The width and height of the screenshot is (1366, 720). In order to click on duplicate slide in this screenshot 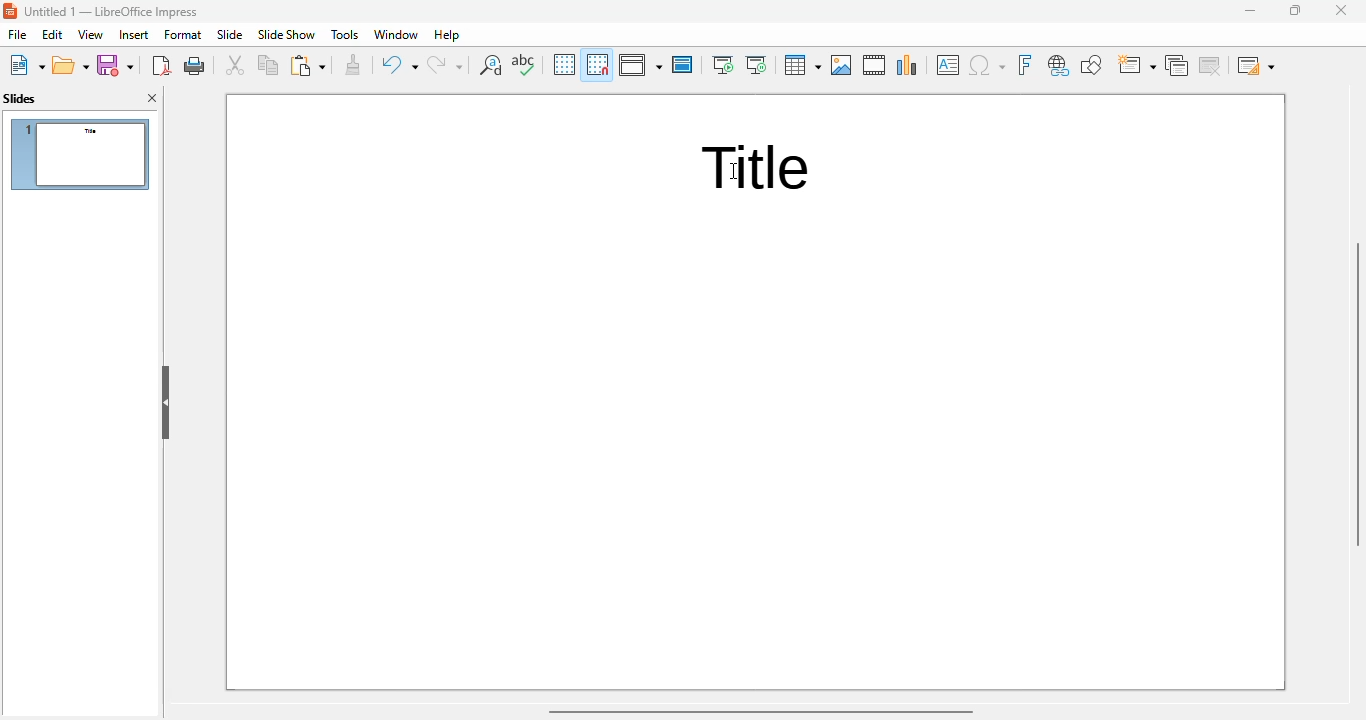, I will do `click(1177, 65)`.